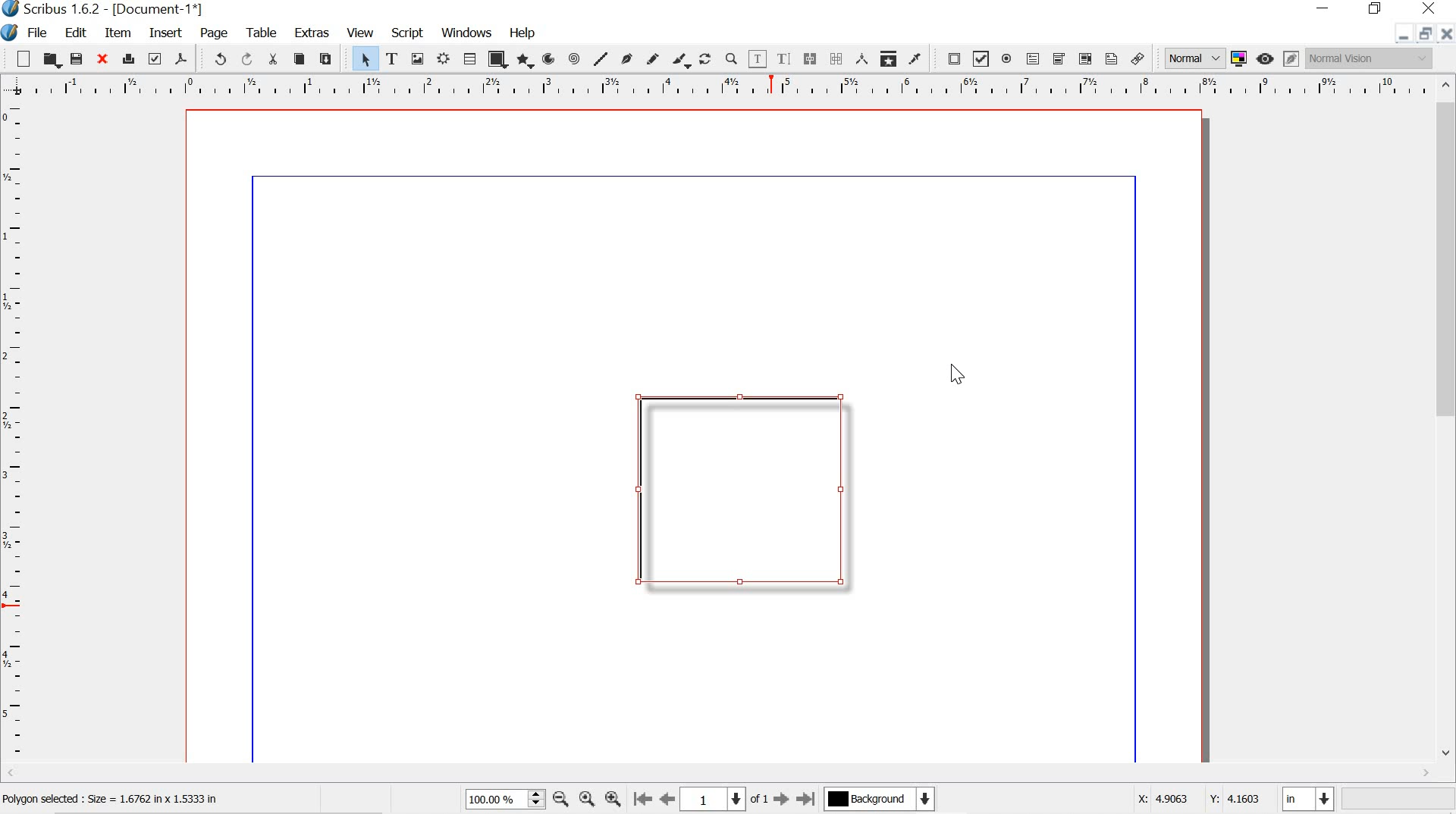 The width and height of the screenshot is (1456, 814). Describe the element at coordinates (949, 58) in the screenshot. I see `pdf push button` at that location.